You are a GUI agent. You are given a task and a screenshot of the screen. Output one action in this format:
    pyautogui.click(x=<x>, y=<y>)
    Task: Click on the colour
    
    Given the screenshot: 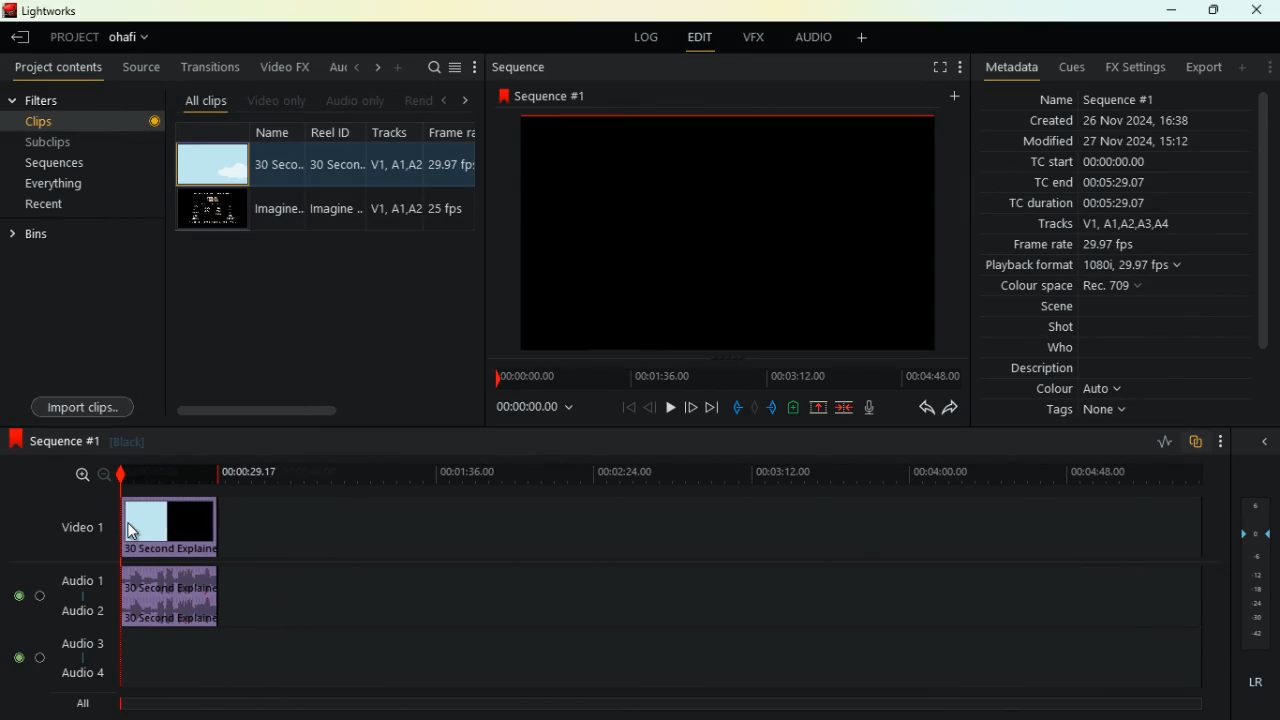 What is the action you would take?
    pyautogui.click(x=1075, y=389)
    